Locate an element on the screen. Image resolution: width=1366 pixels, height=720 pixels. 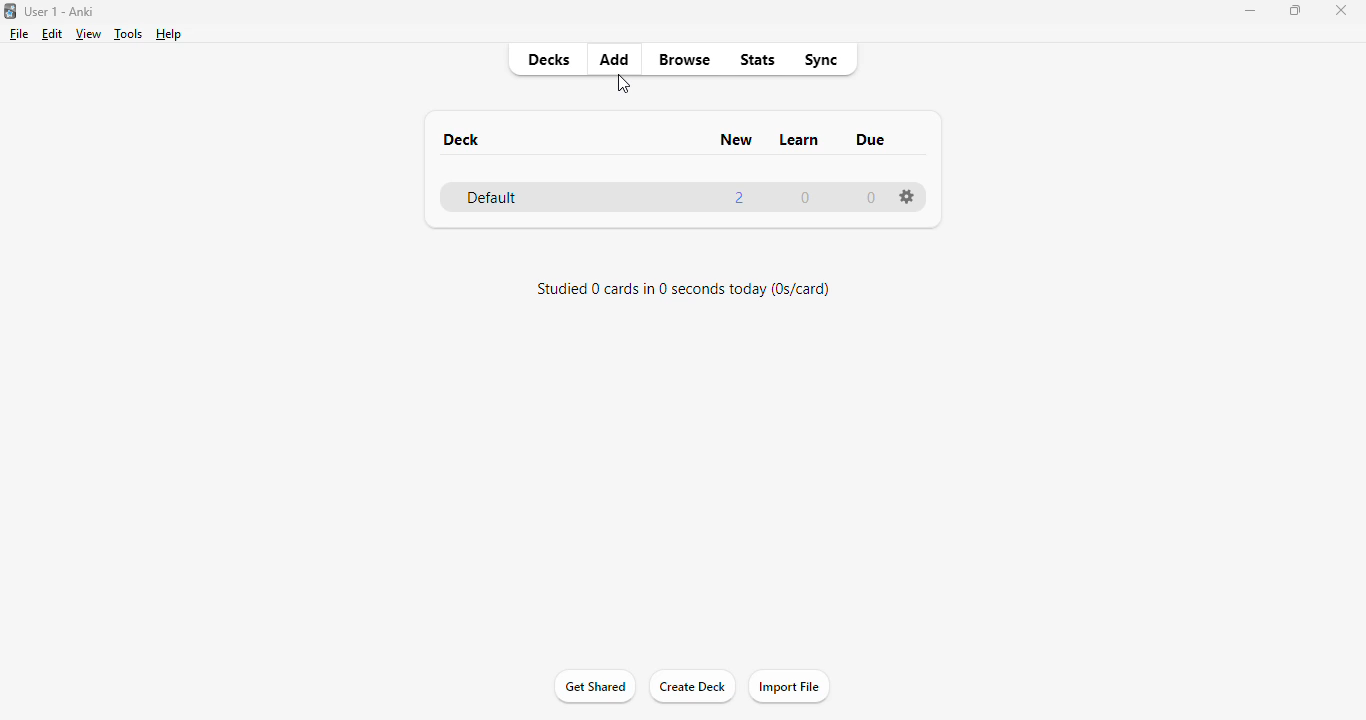
2 is located at coordinates (740, 197).